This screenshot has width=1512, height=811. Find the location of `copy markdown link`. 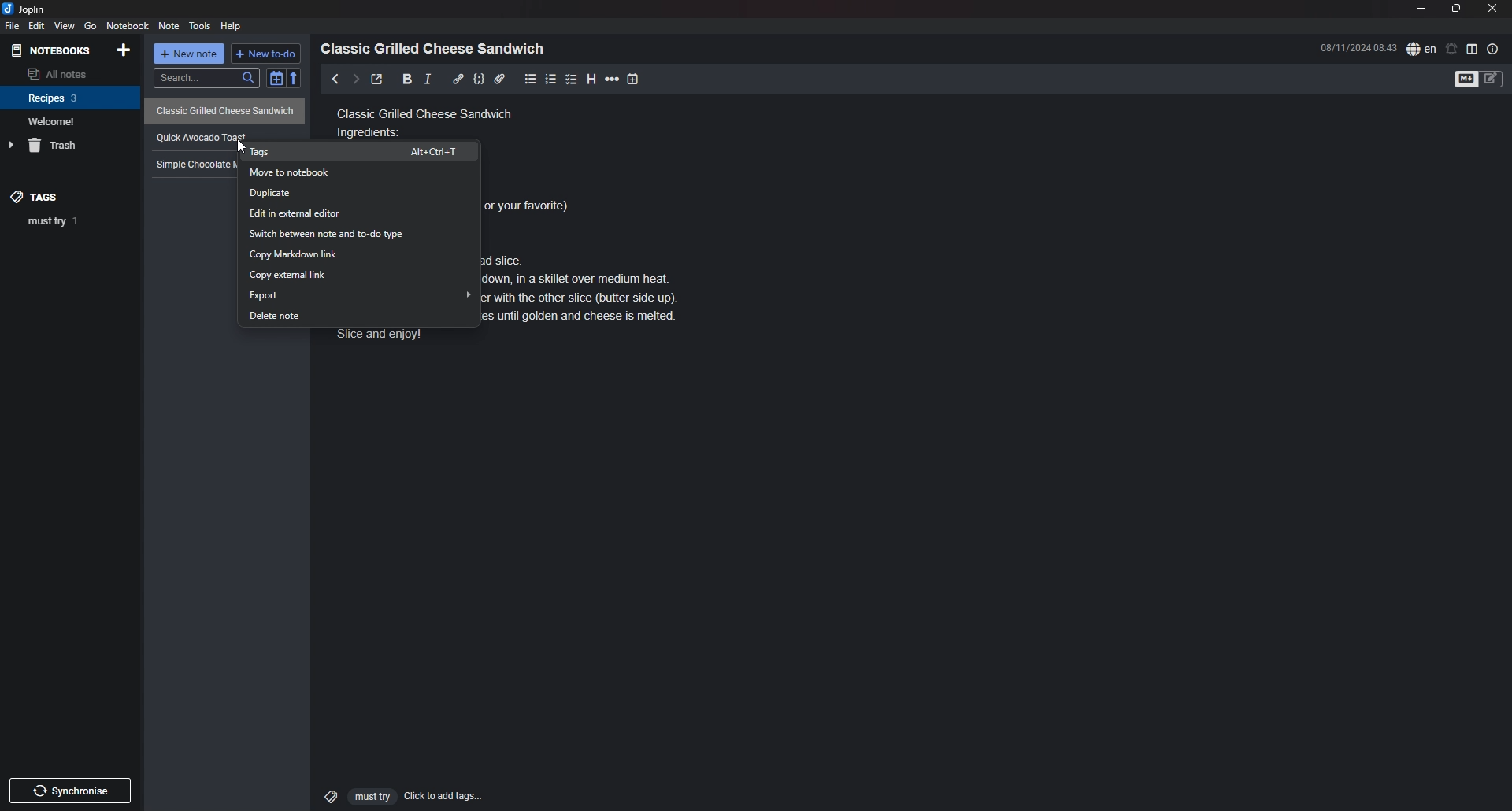

copy markdown link is located at coordinates (358, 254).